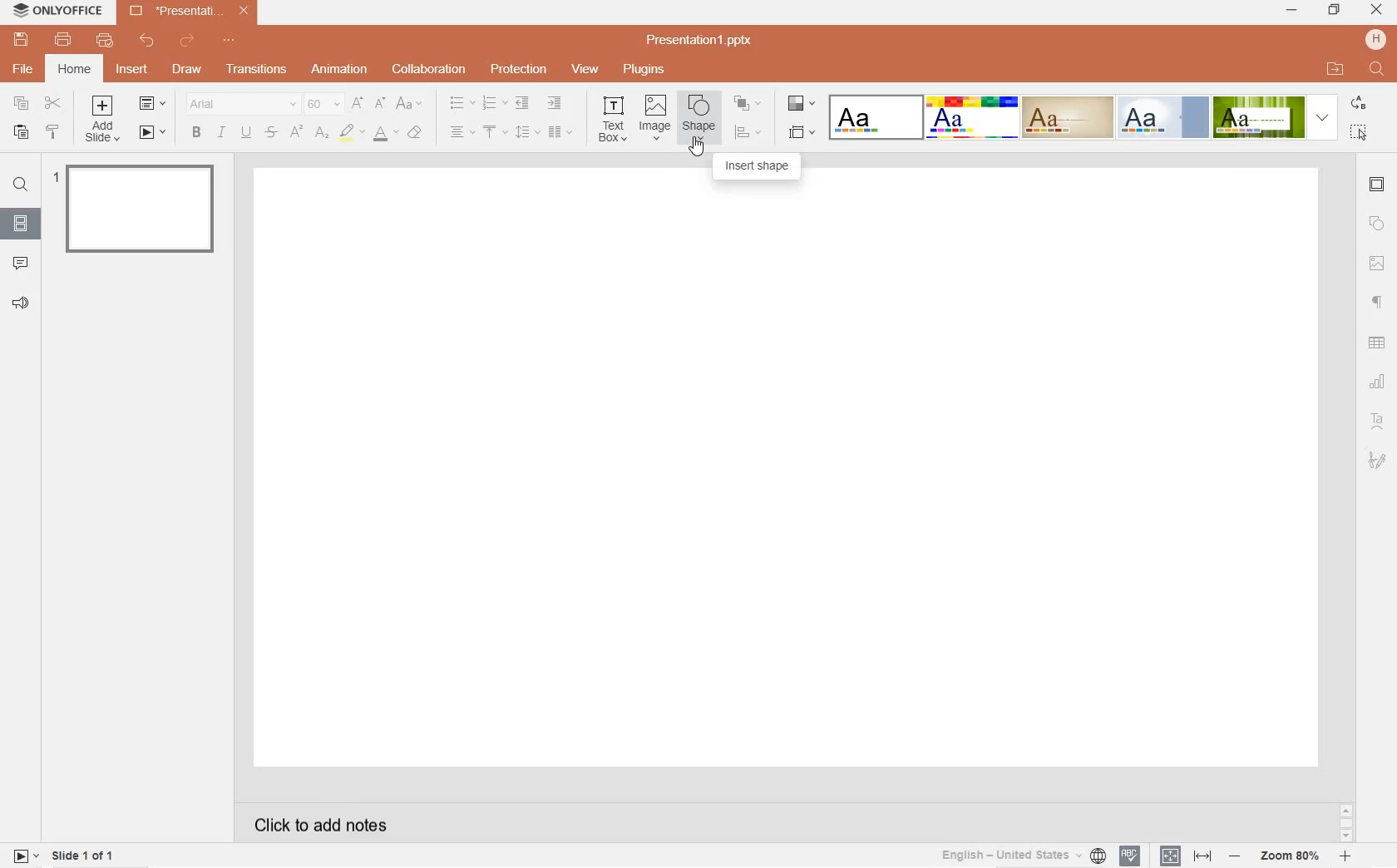  Describe the element at coordinates (876, 116) in the screenshot. I see `Blank` at that location.